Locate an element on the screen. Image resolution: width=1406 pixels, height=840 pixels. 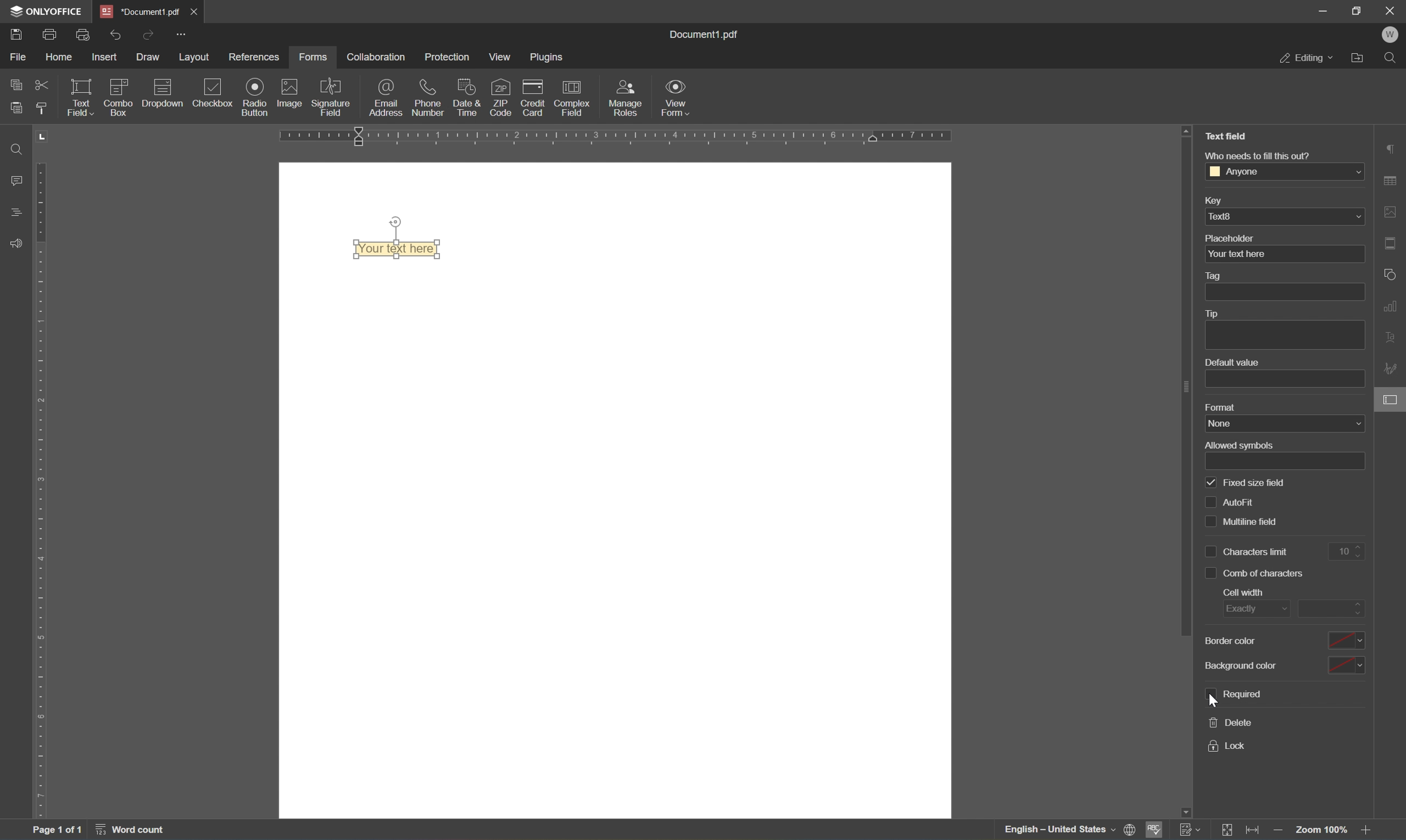
close is located at coordinates (195, 13).